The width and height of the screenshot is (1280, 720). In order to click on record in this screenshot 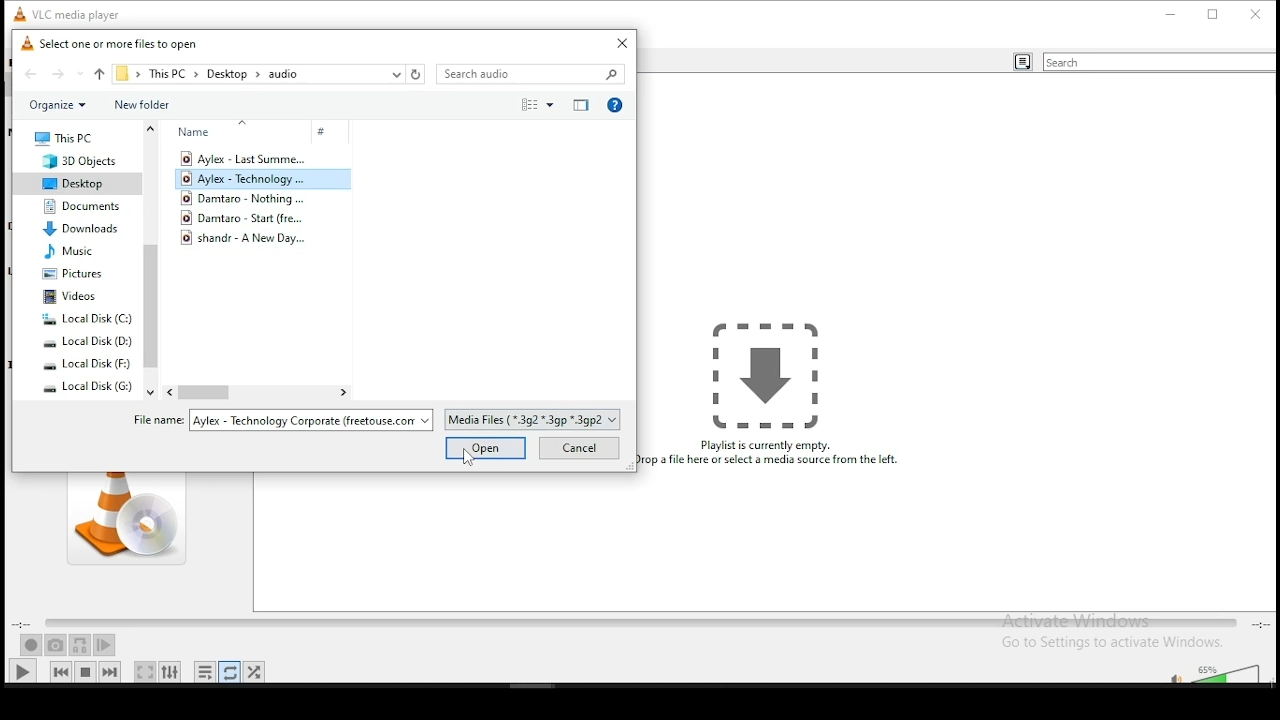, I will do `click(31, 645)`.